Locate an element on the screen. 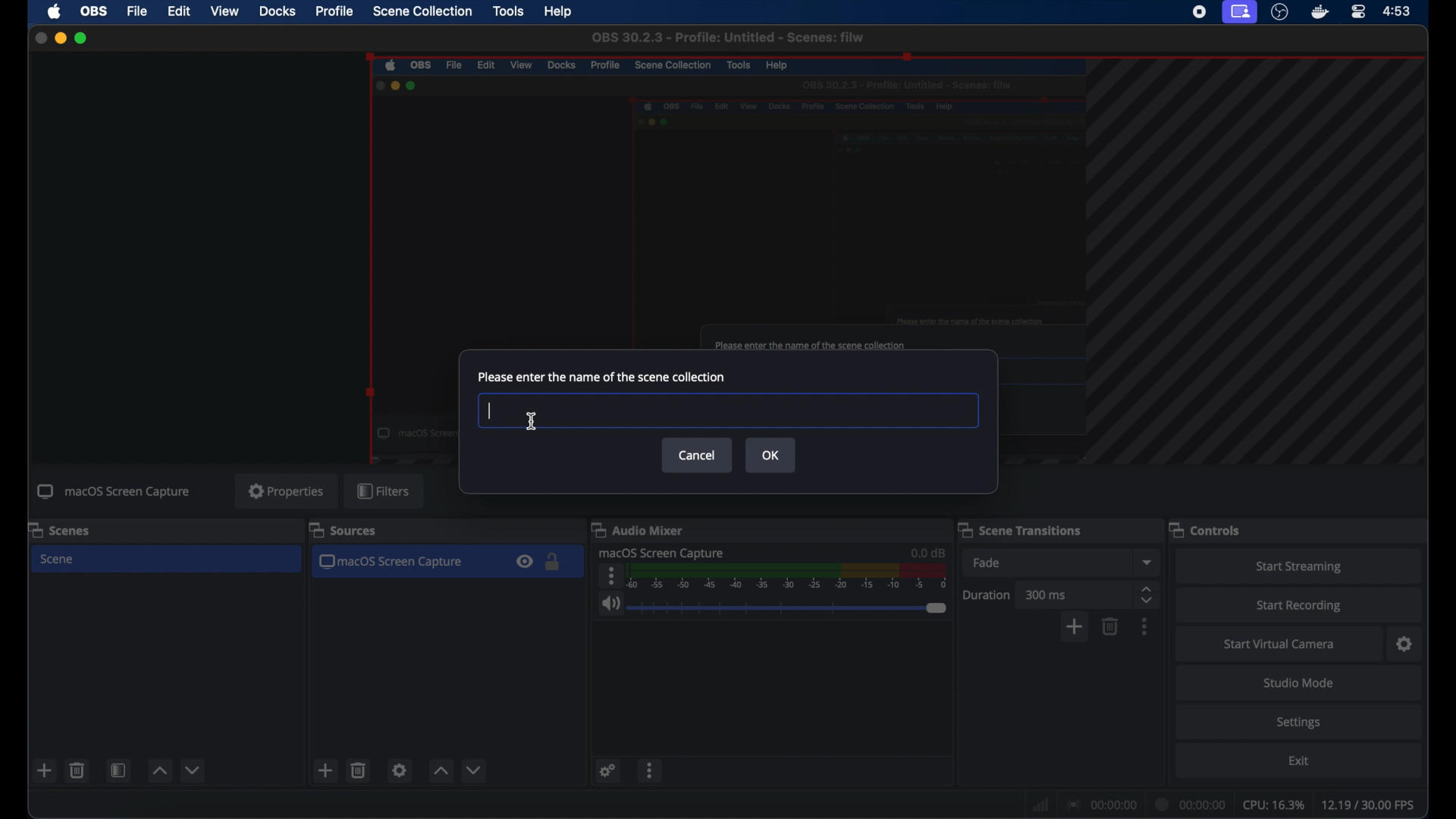 The width and height of the screenshot is (1456, 819). trash is located at coordinates (1110, 626).